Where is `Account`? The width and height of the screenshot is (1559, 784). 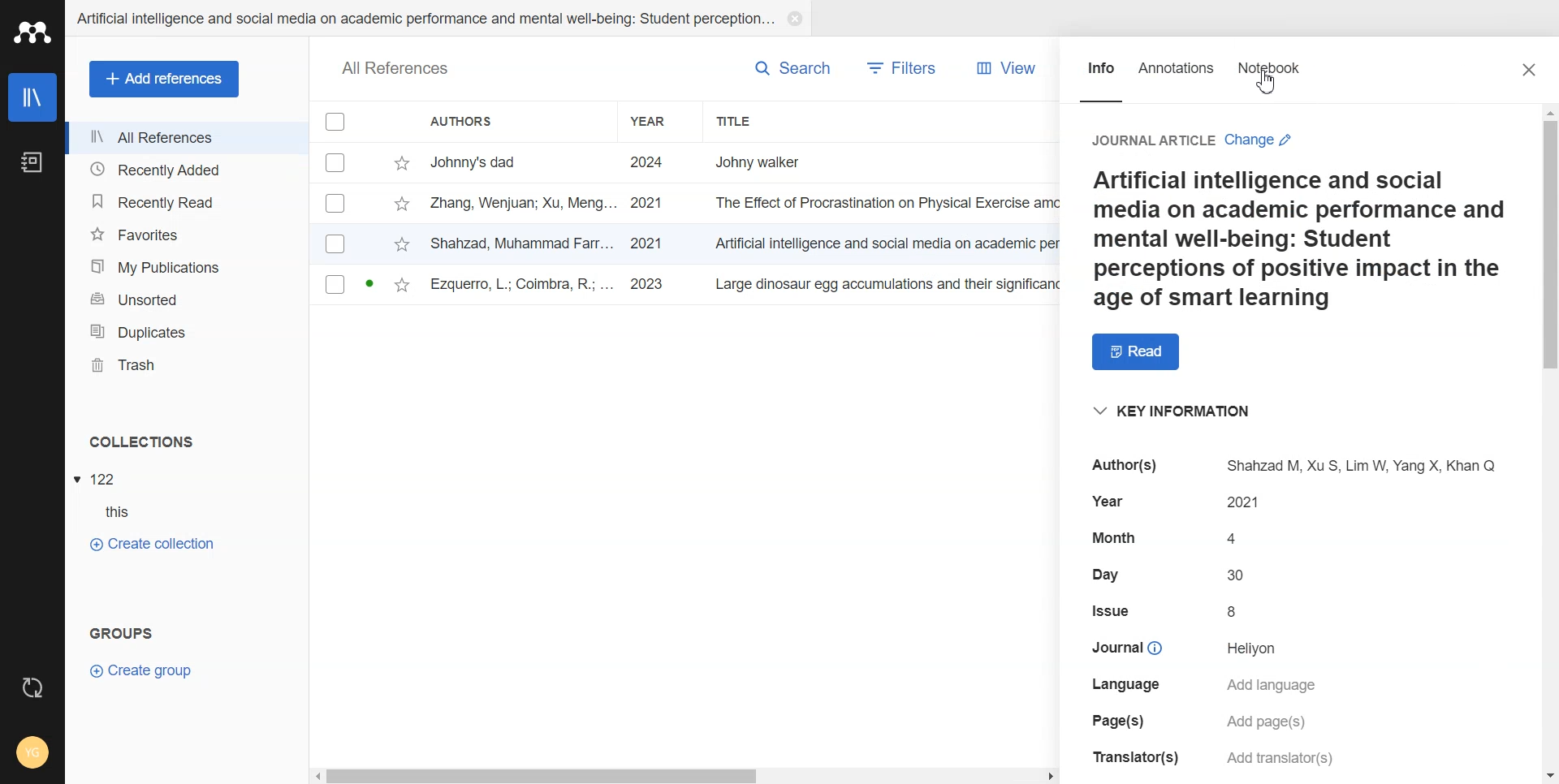
Account is located at coordinates (32, 754).